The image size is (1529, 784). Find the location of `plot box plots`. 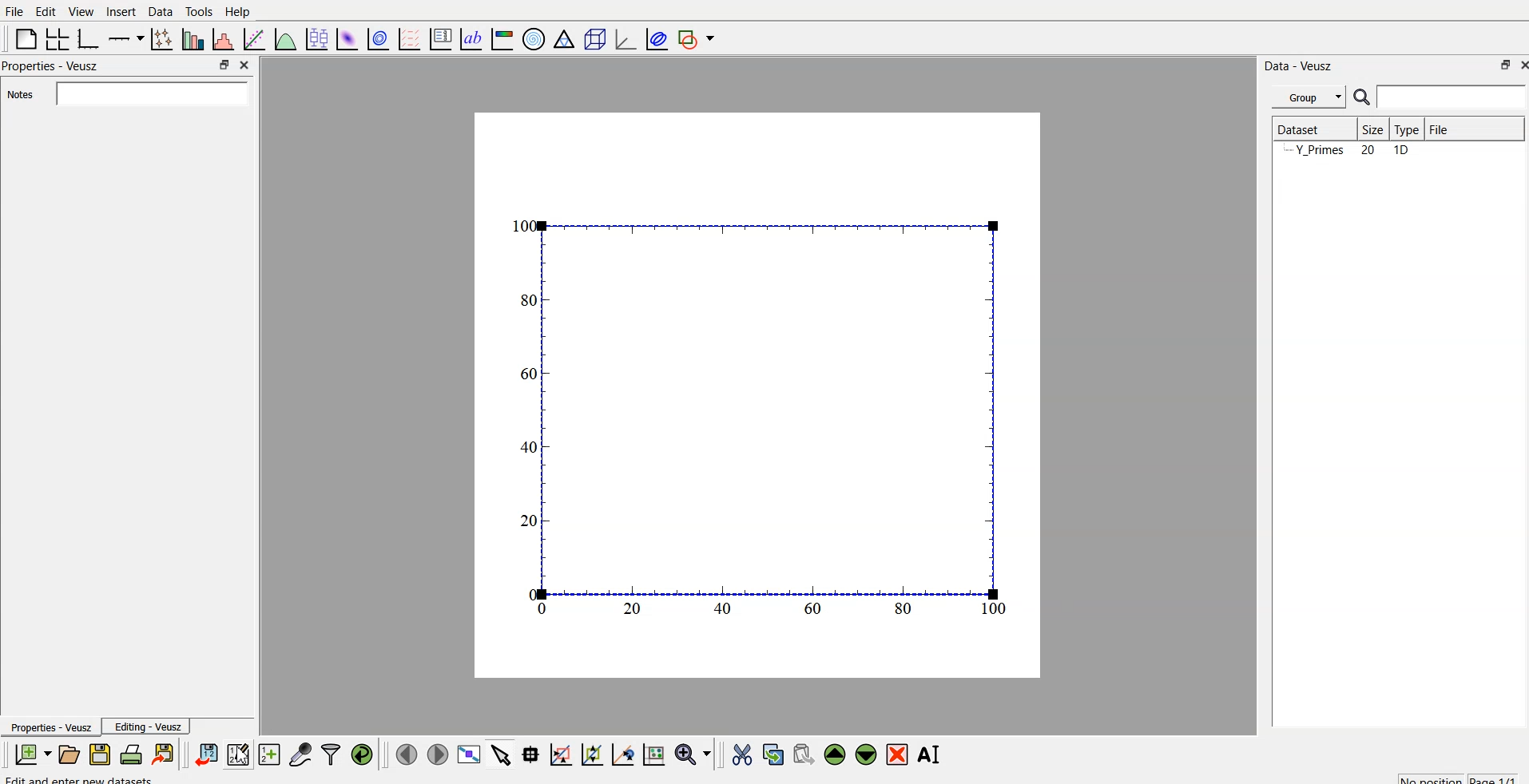

plot box plots is located at coordinates (315, 38).